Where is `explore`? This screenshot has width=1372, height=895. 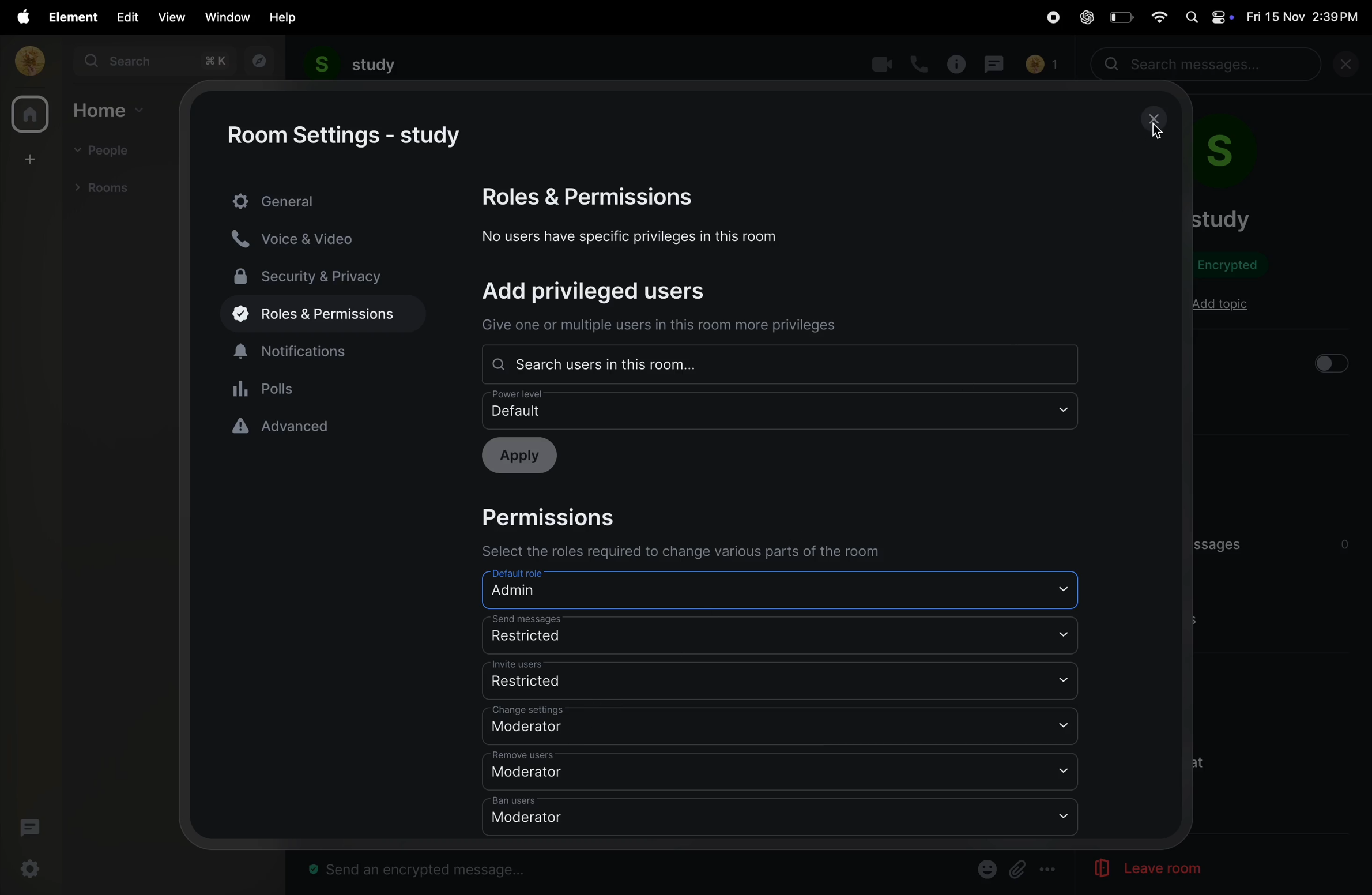
explore is located at coordinates (257, 61).